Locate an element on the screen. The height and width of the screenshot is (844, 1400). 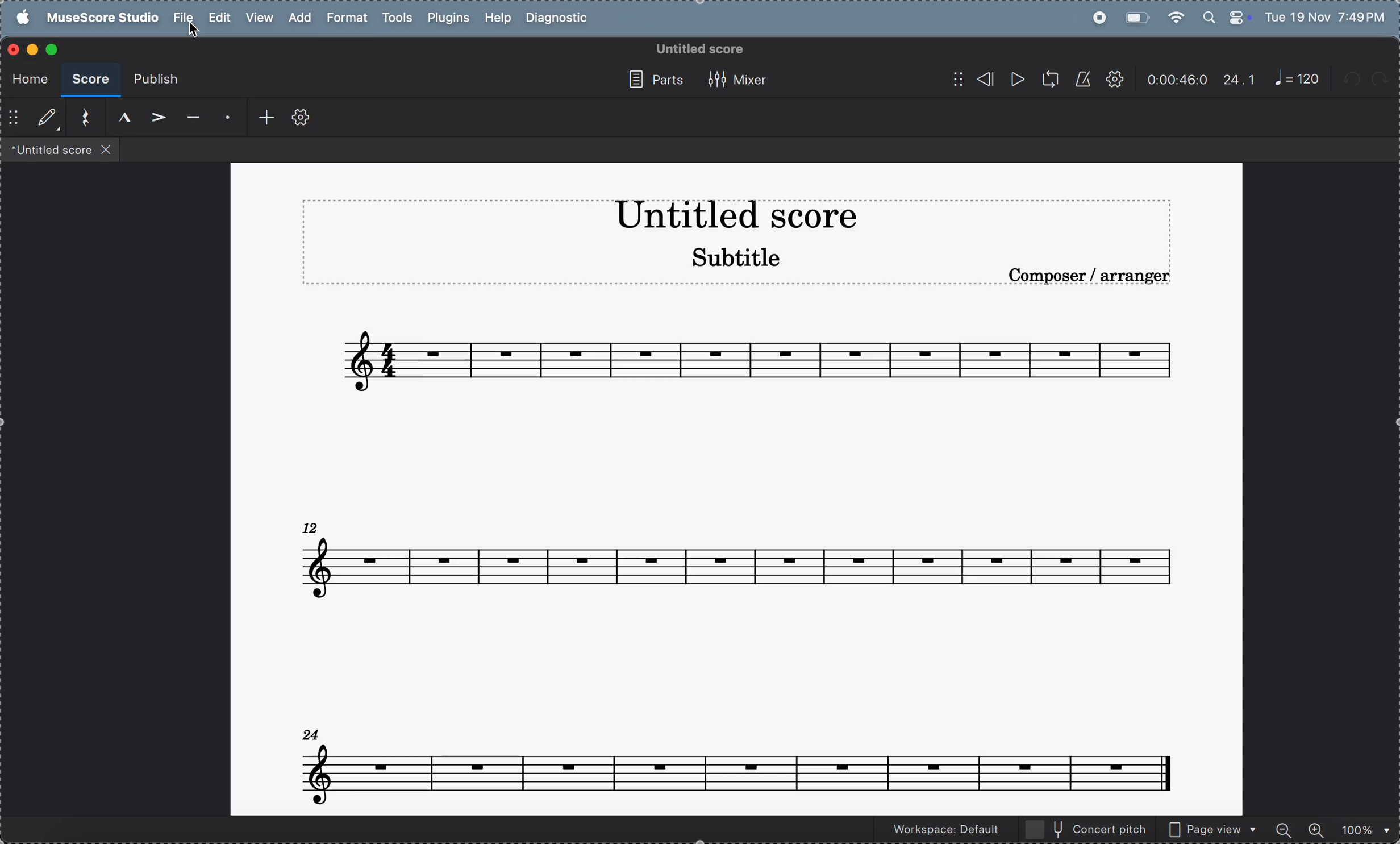
view is located at coordinates (259, 18).